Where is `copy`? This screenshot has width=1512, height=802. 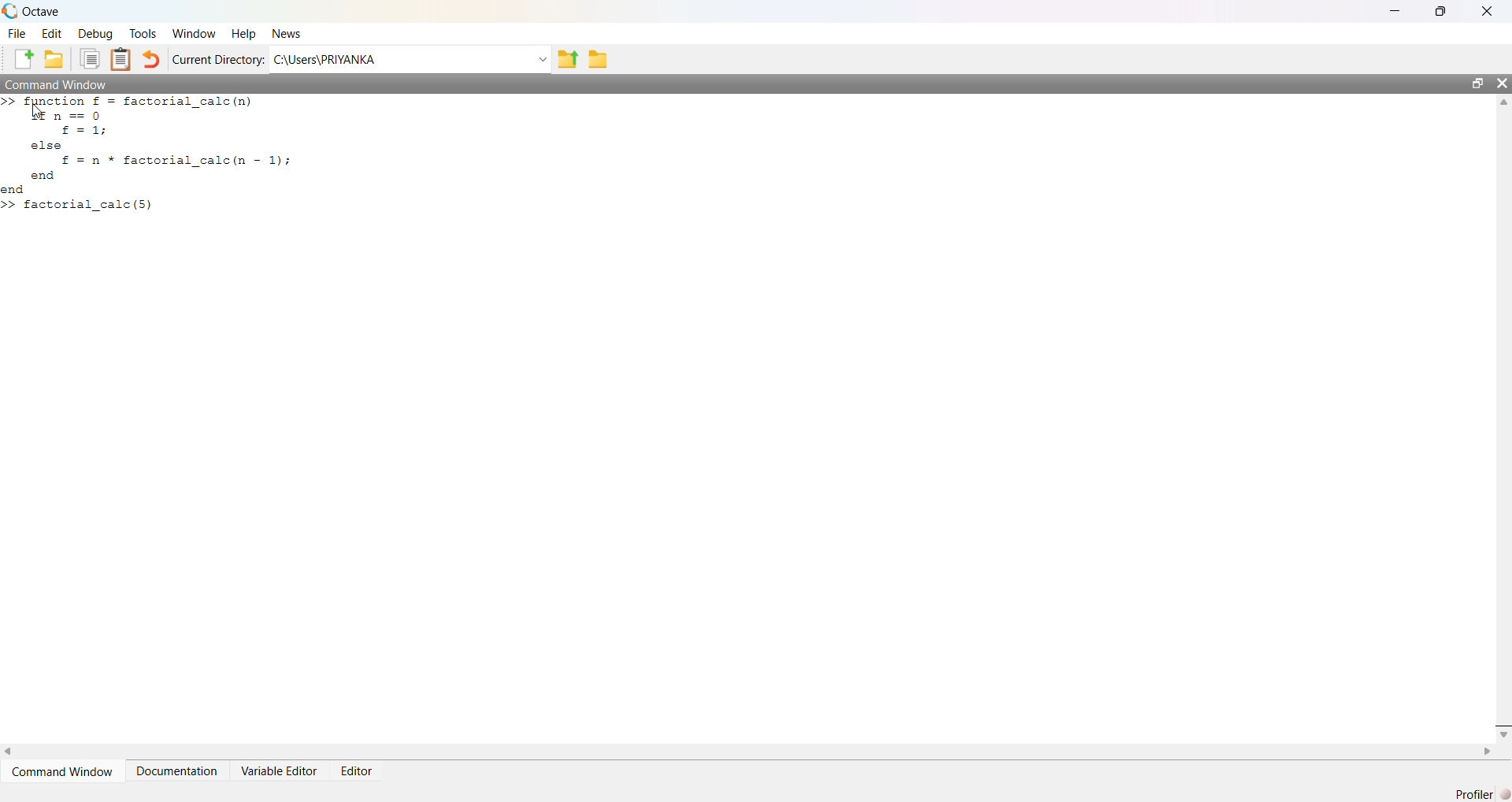 copy is located at coordinates (90, 58).